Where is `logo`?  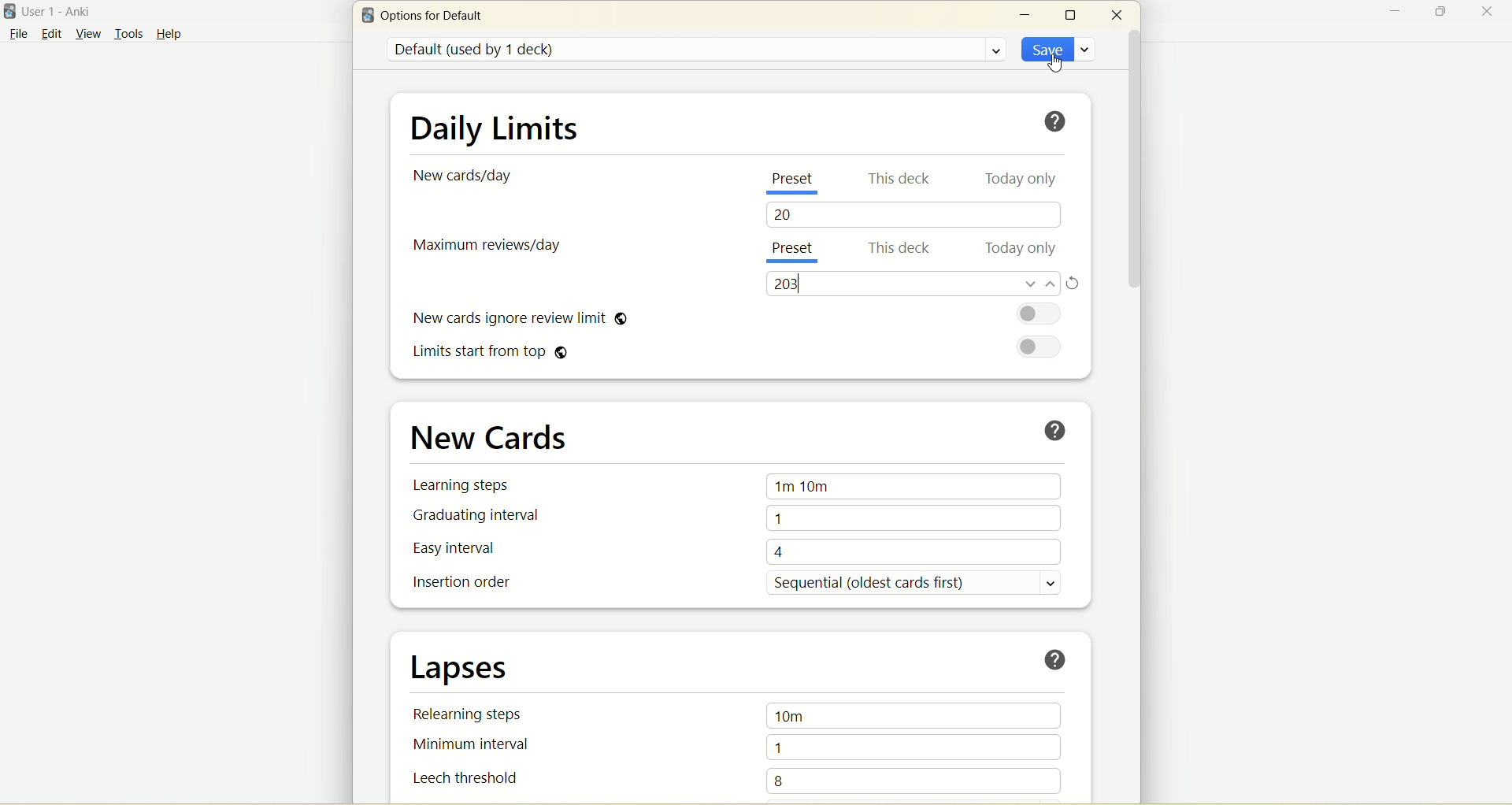 logo is located at coordinates (366, 15).